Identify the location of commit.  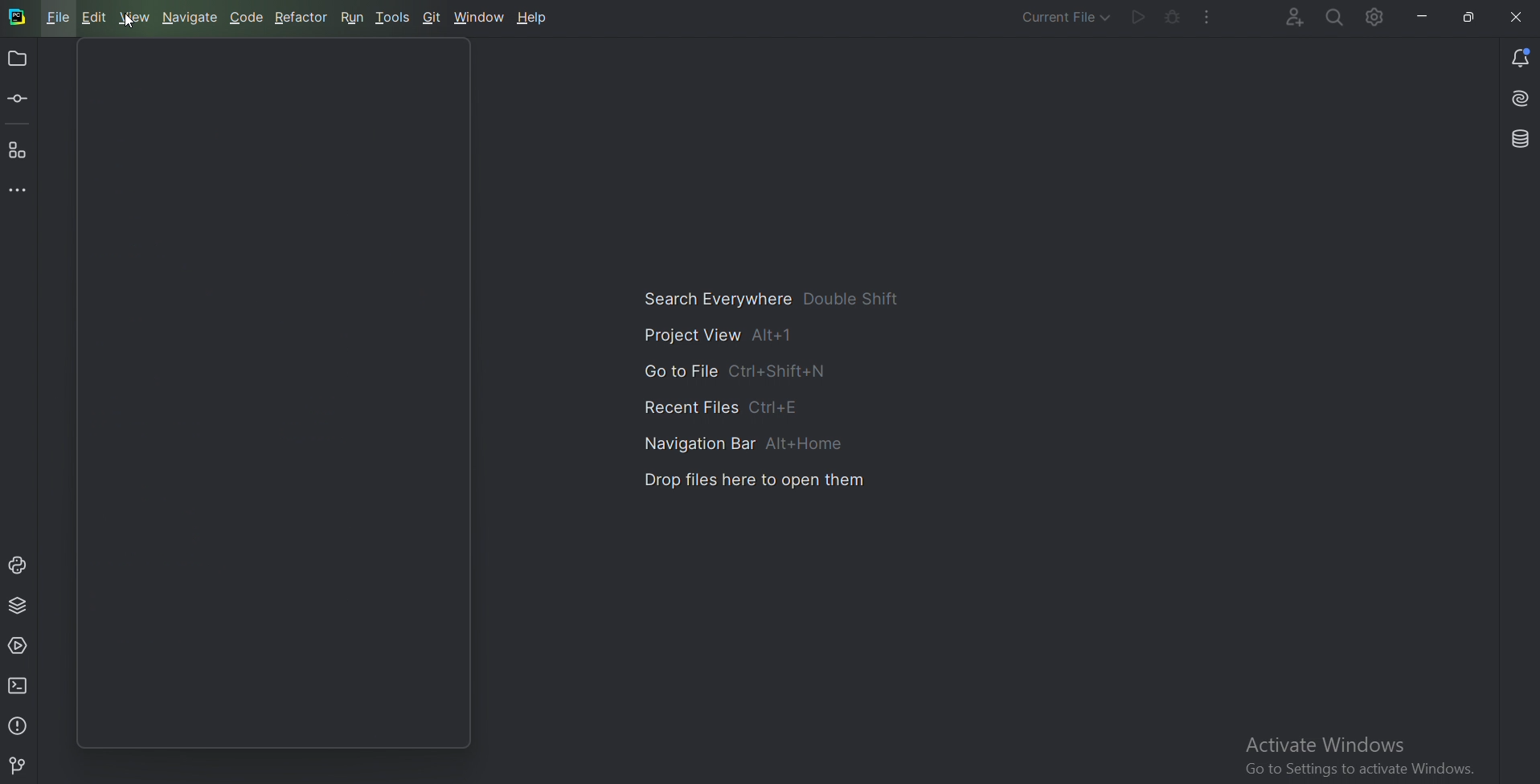
(22, 99).